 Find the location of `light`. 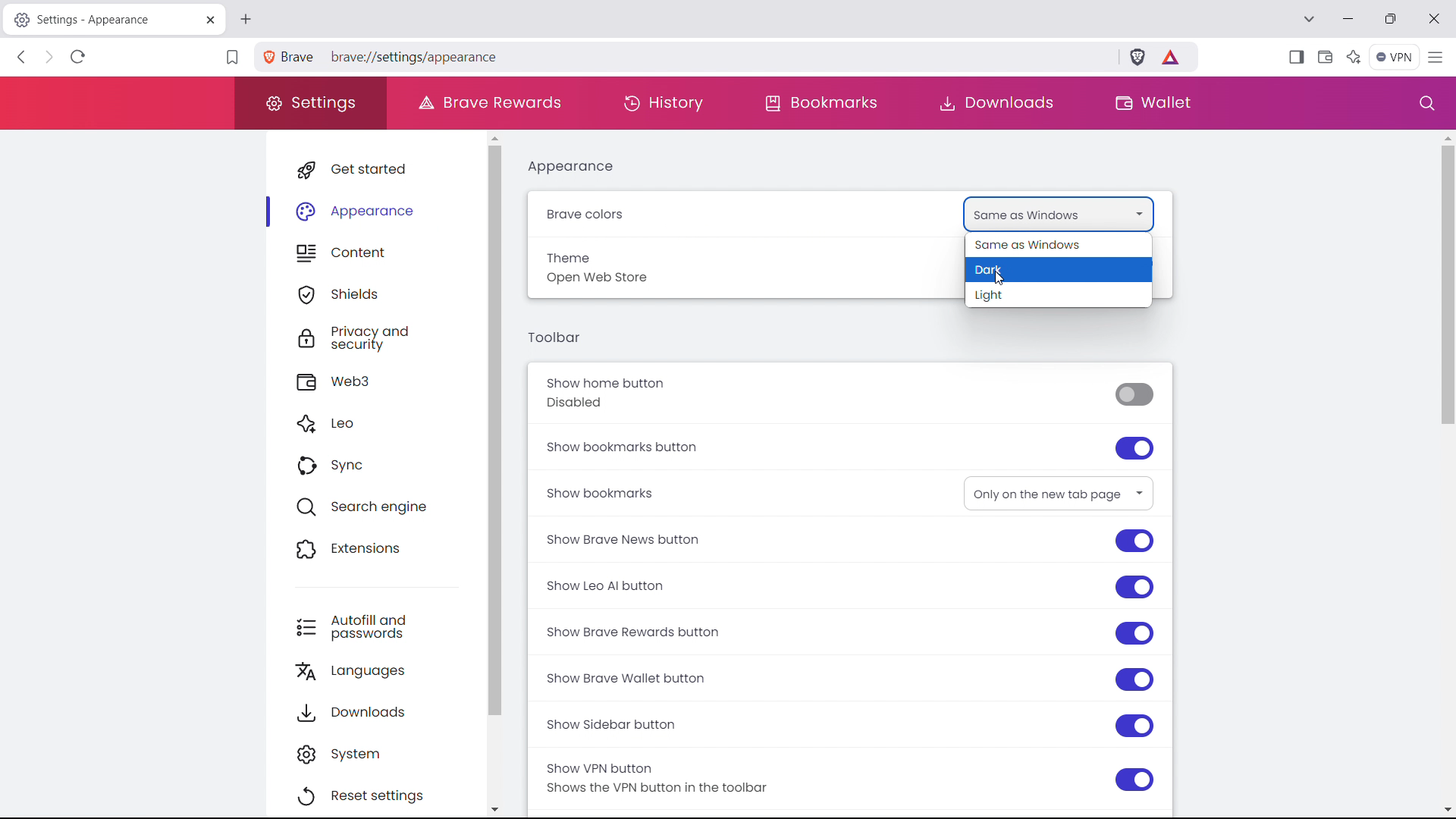

light is located at coordinates (1059, 295).